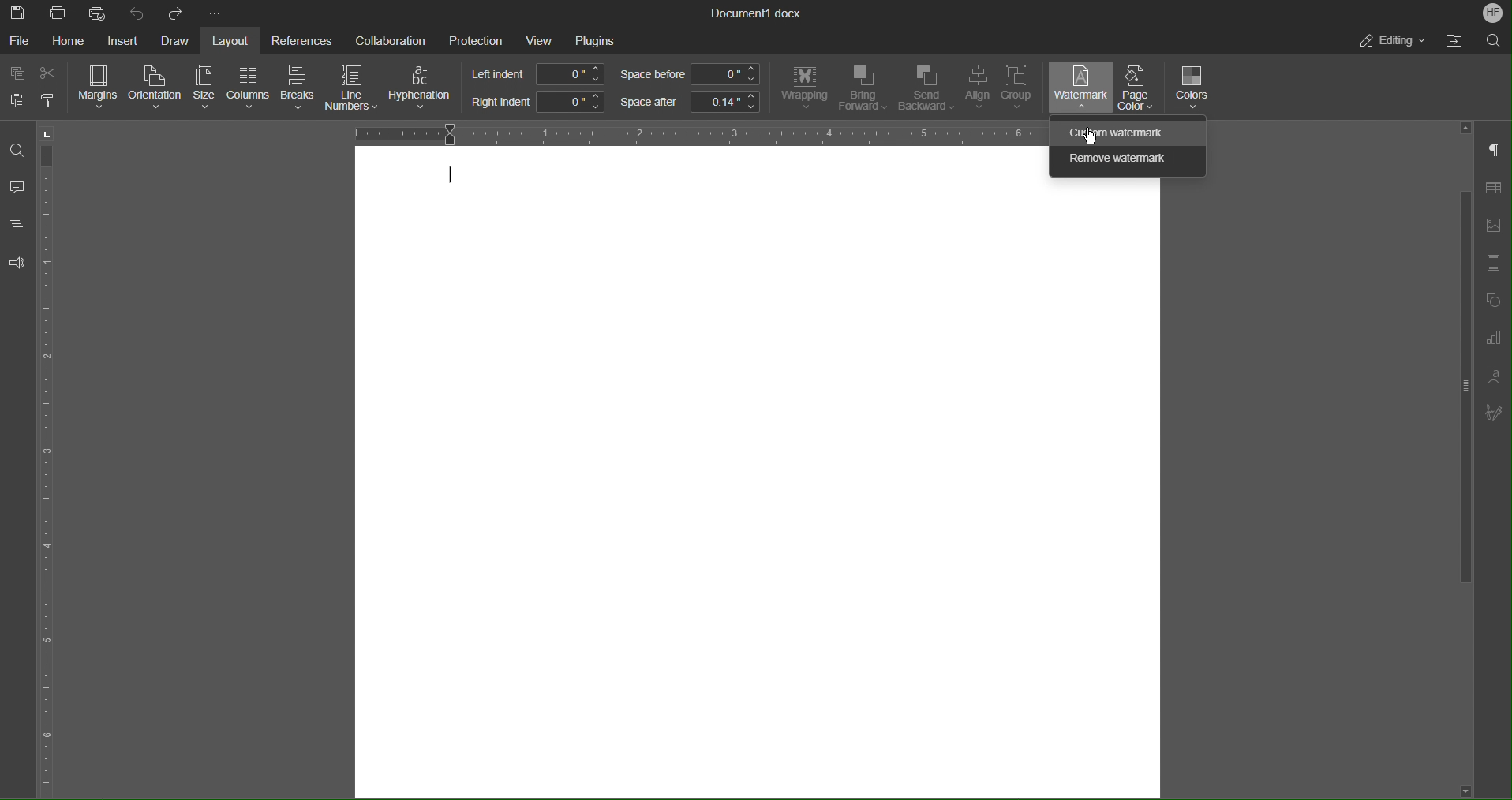 This screenshot has width=1512, height=800. I want to click on Cut, so click(51, 73).